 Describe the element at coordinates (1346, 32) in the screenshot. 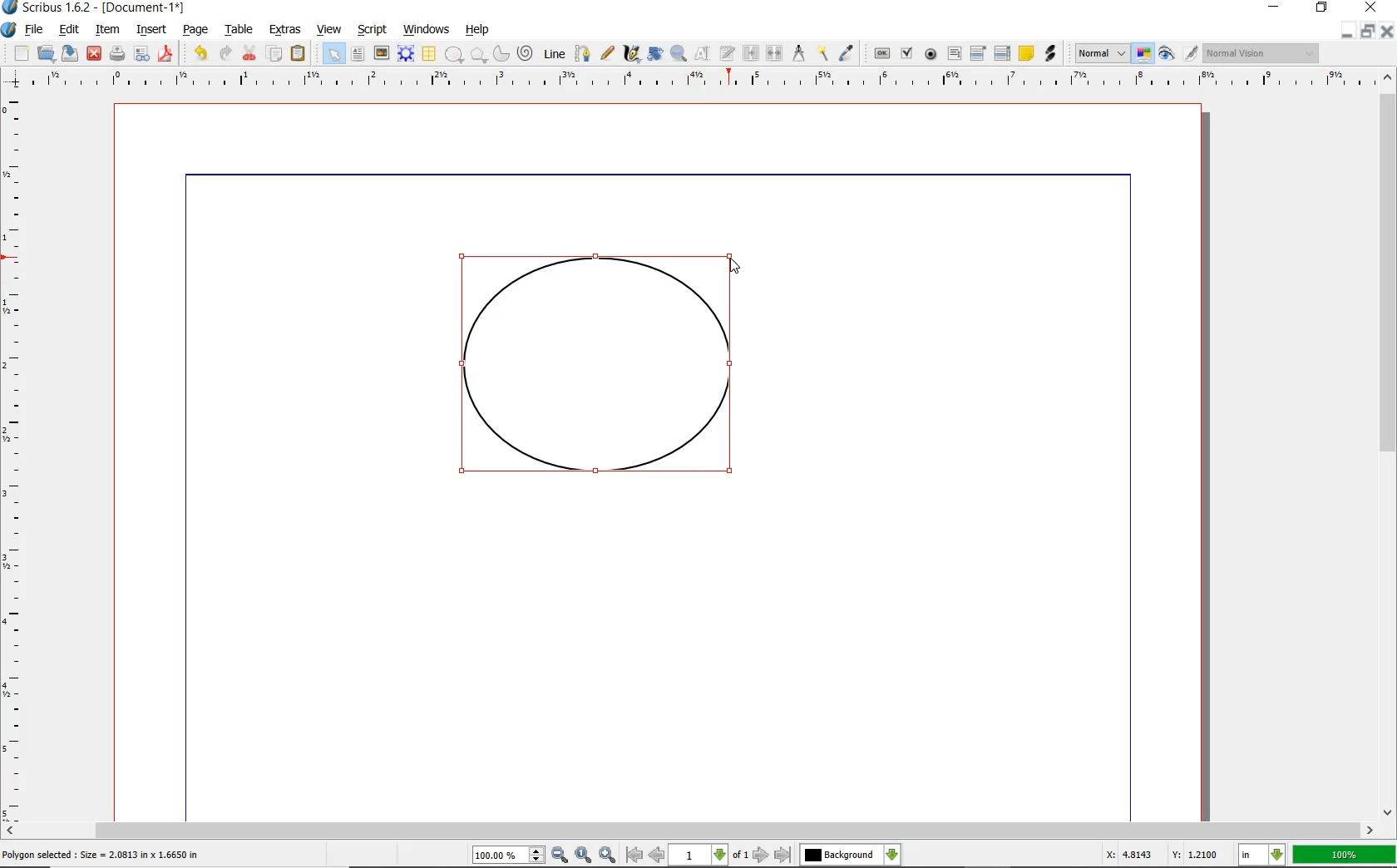

I see `MINIMIZE` at that location.